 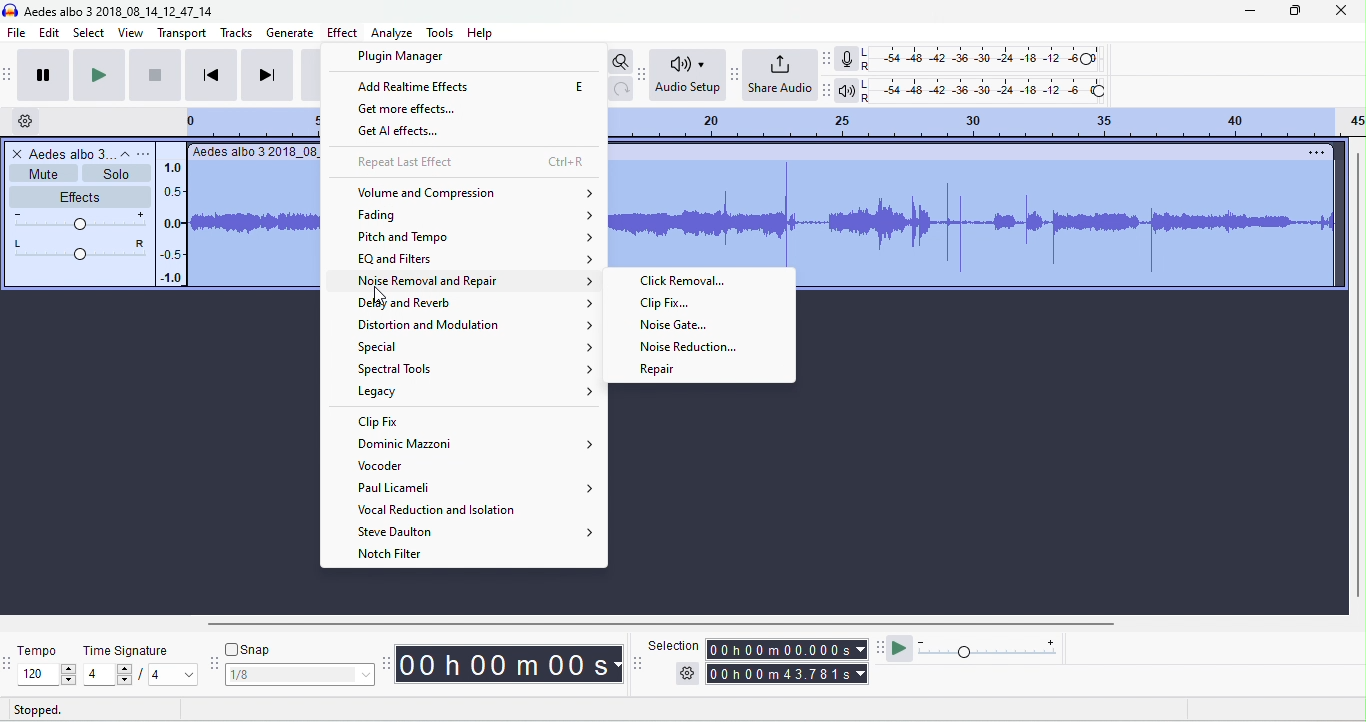 What do you see at coordinates (211, 75) in the screenshot?
I see `skip to start` at bounding box center [211, 75].